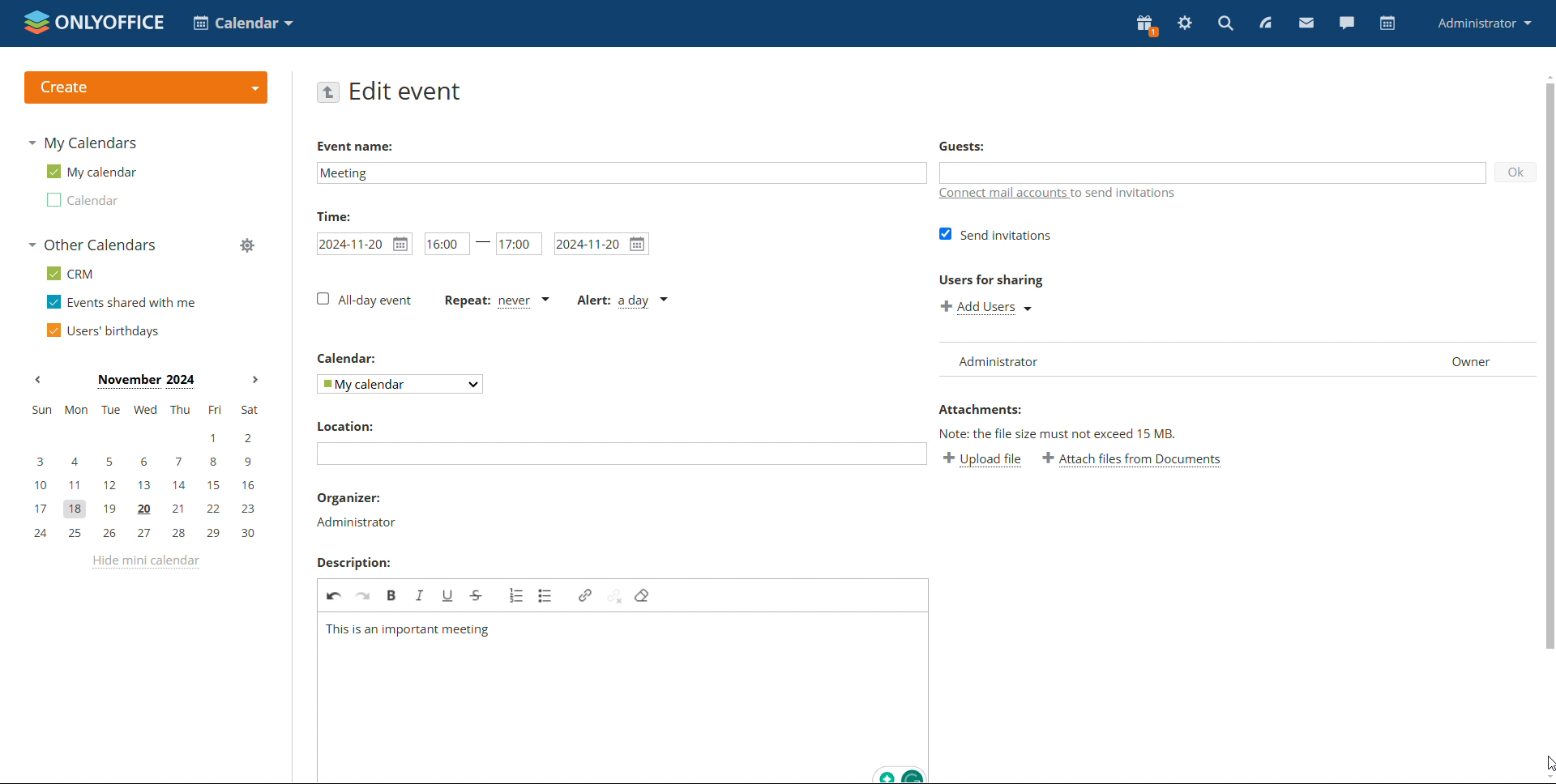 Image resolution: width=1556 pixels, height=784 pixels. What do you see at coordinates (345, 428) in the screenshot?
I see `location` at bounding box center [345, 428].